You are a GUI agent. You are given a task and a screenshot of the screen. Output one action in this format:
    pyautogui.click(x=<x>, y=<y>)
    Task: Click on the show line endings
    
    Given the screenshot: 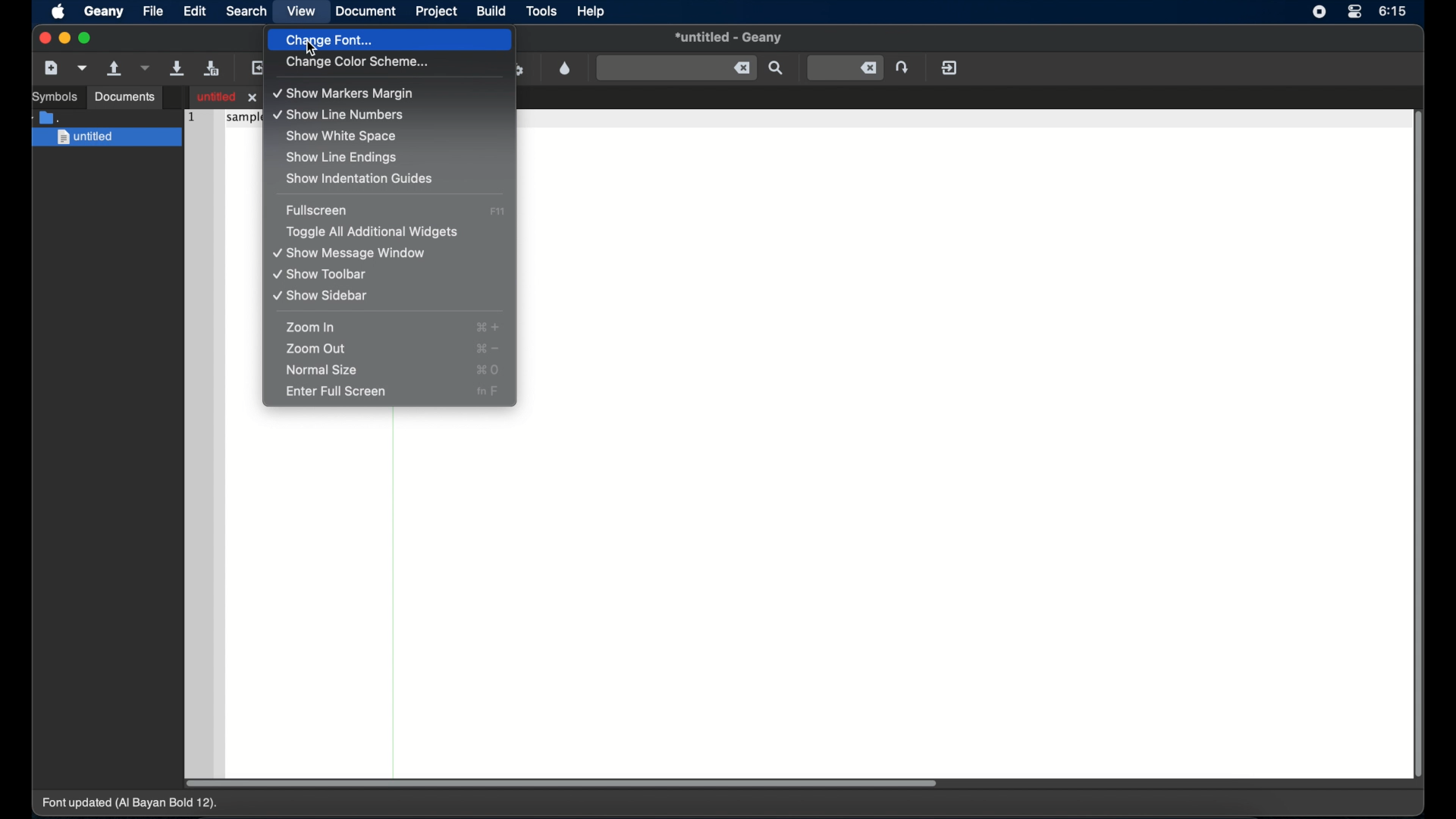 What is the action you would take?
    pyautogui.click(x=343, y=158)
    